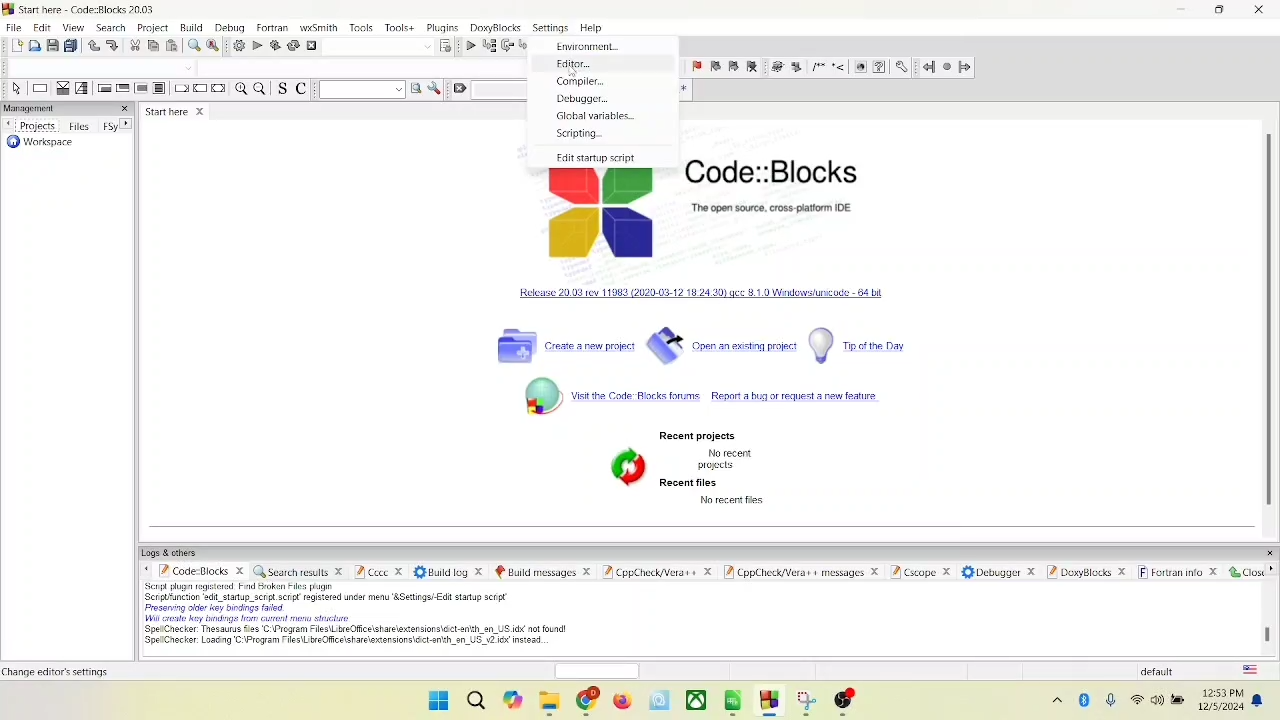 The height and width of the screenshot is (720, 1280). What do you see at coordinates (124, 108) in the screenshot?
I see `close` at bounding box center [124, 108].